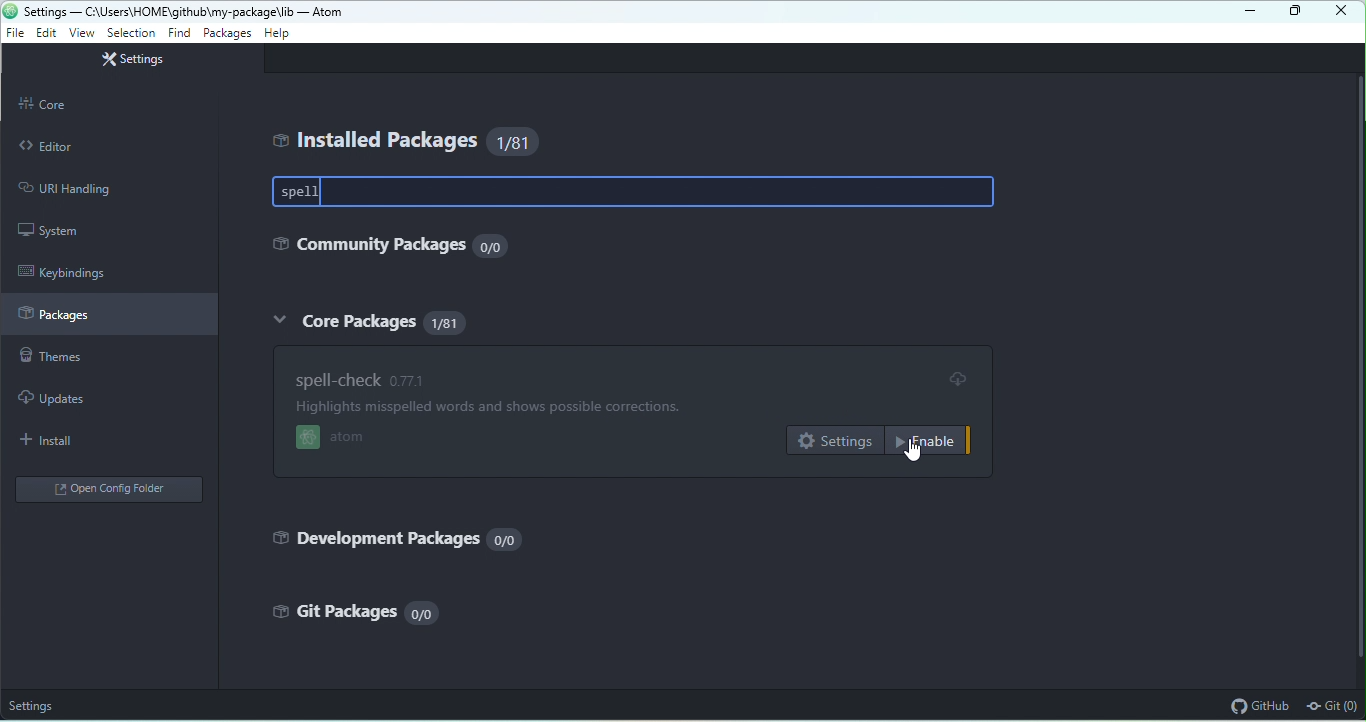 Image resolution: width=1366 pixels, height=722 pixels. I want to click on atom, so click(356, 439).